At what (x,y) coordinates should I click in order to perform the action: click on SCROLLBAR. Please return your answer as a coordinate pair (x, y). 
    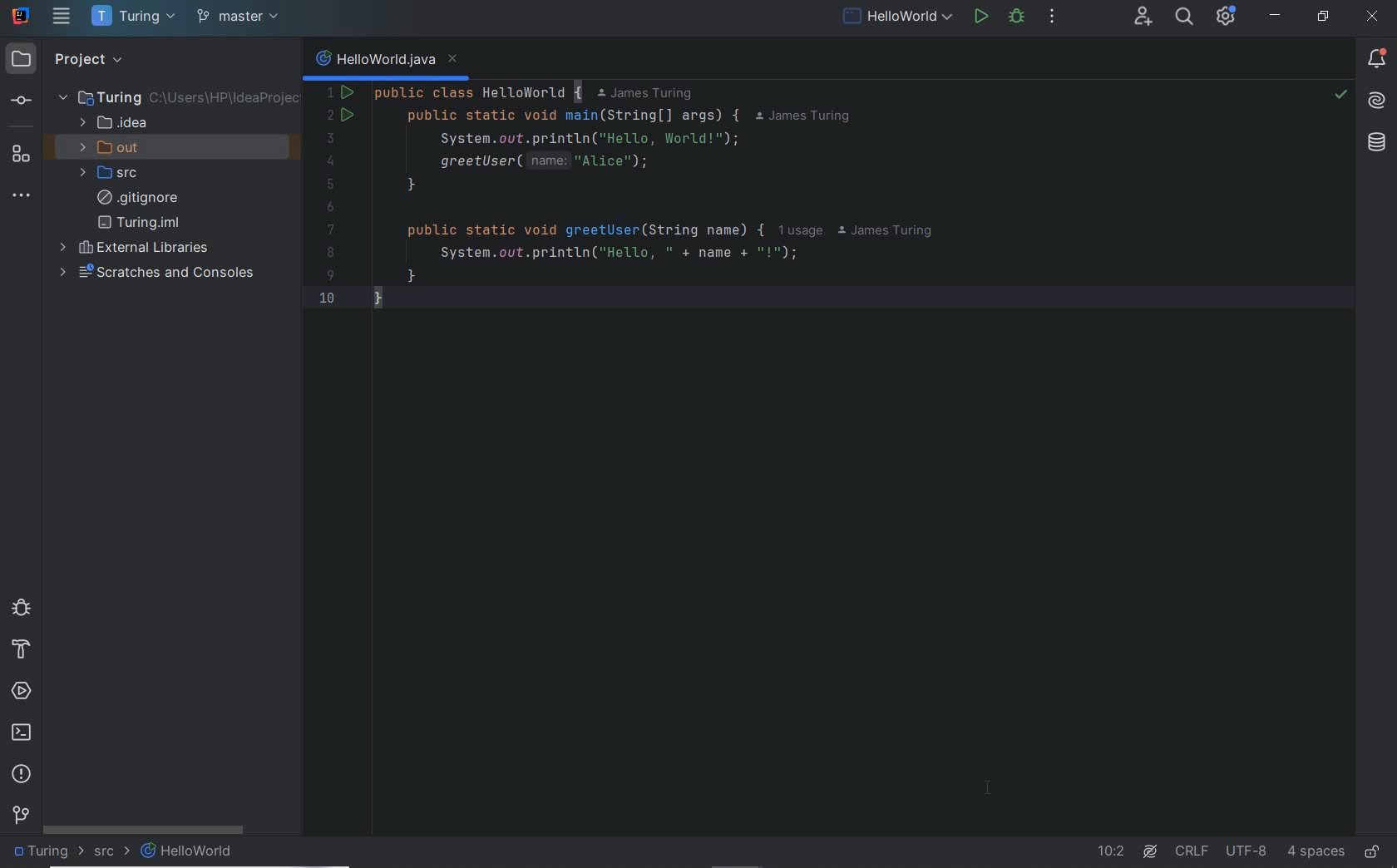
    Looking at the image, I should click on (144, 827).